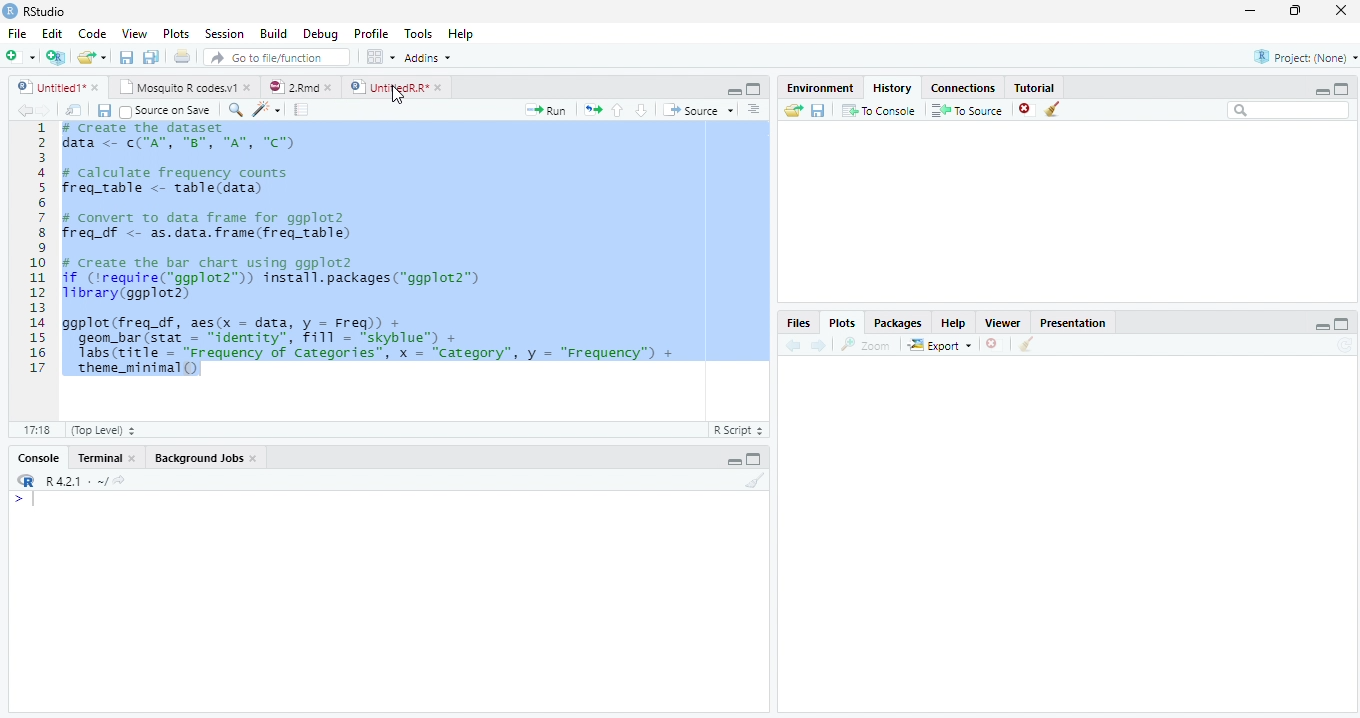 Image resolution: width=1360 pixels, height=718 pixels. I want to click on To source, so click(969, 110).